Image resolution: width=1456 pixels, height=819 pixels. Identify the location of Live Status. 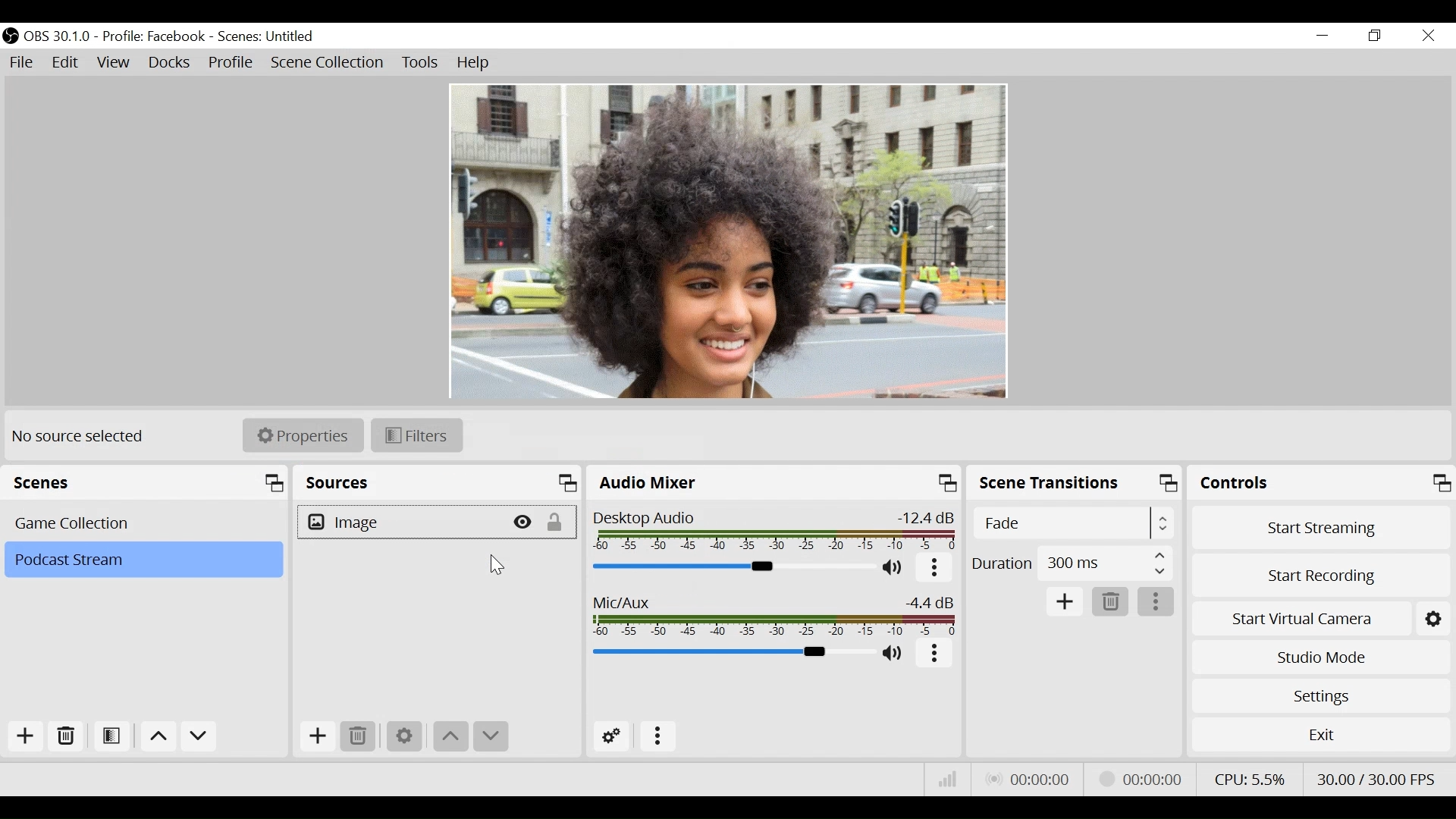
(1032, 781).